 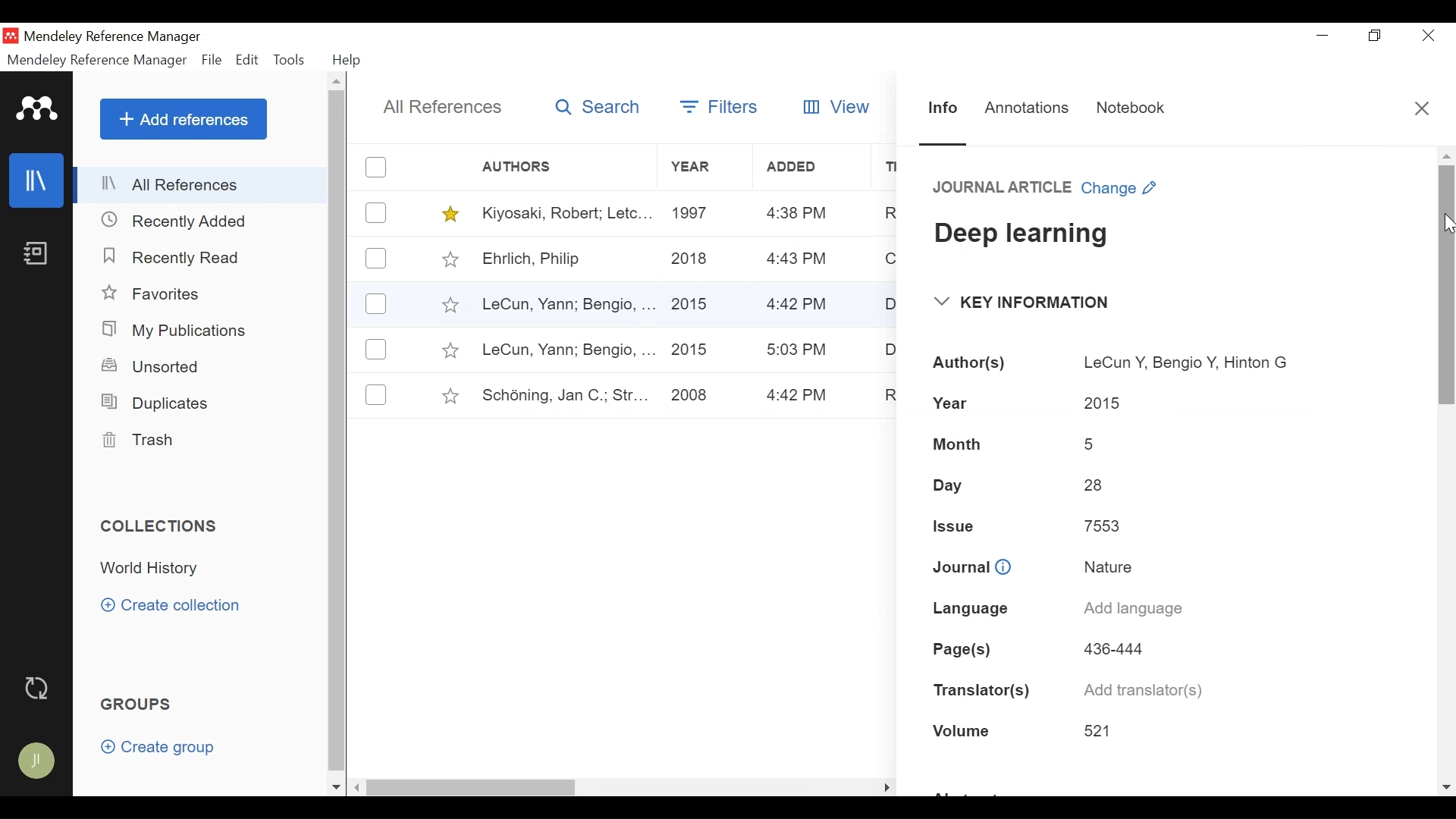 What do you see at coordinates (154, 569) in the screenshot?
I see `Collection` at bounding box center [154, 569].